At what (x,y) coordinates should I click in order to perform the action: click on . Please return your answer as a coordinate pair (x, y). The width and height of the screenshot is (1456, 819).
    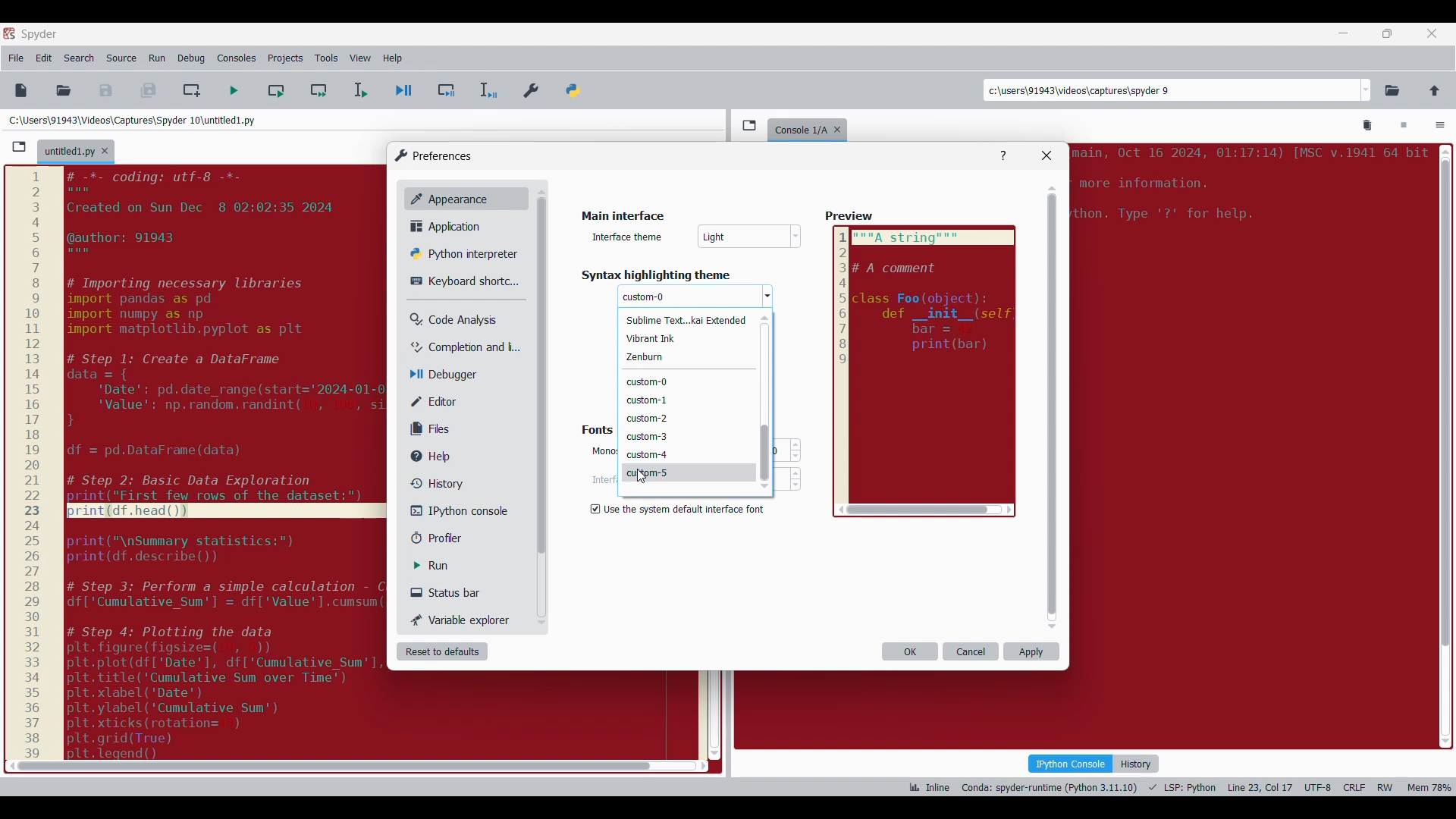
    Looking at the image, I should click on (540, 380).